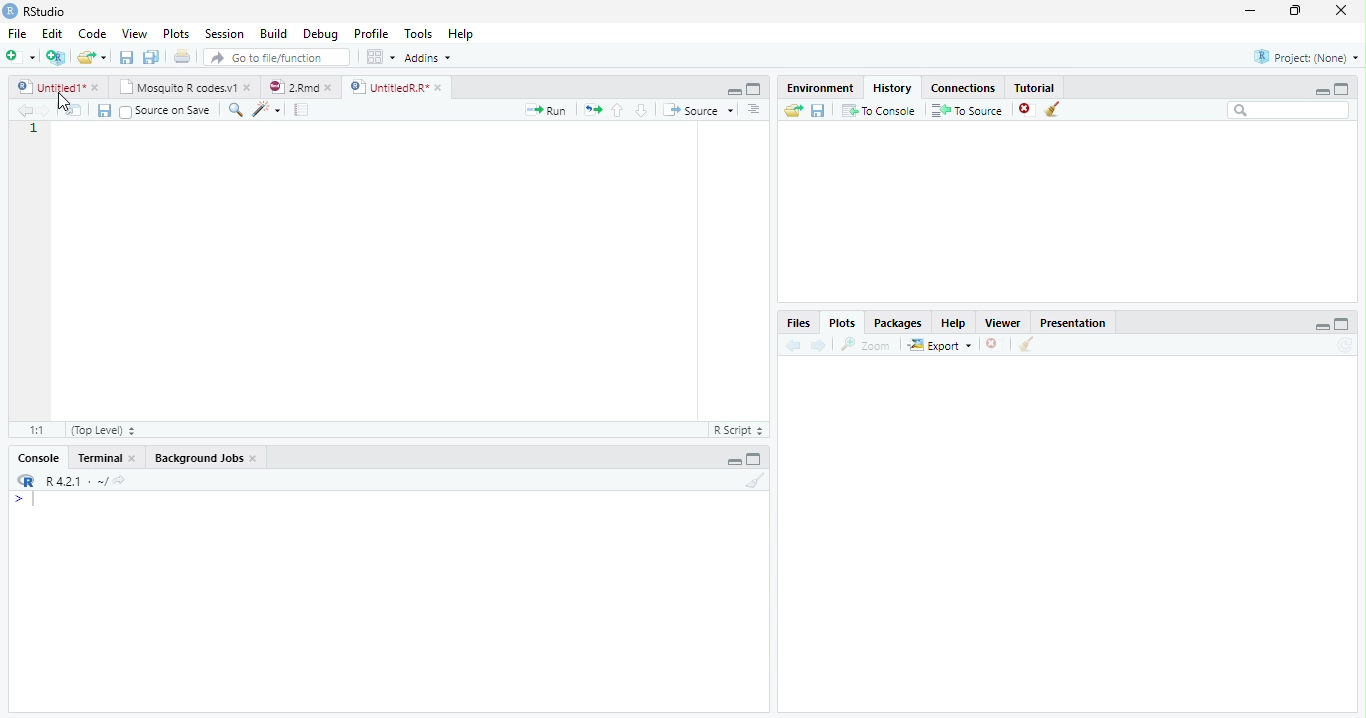  I want to click on View the current working directory, so click(121, 480).